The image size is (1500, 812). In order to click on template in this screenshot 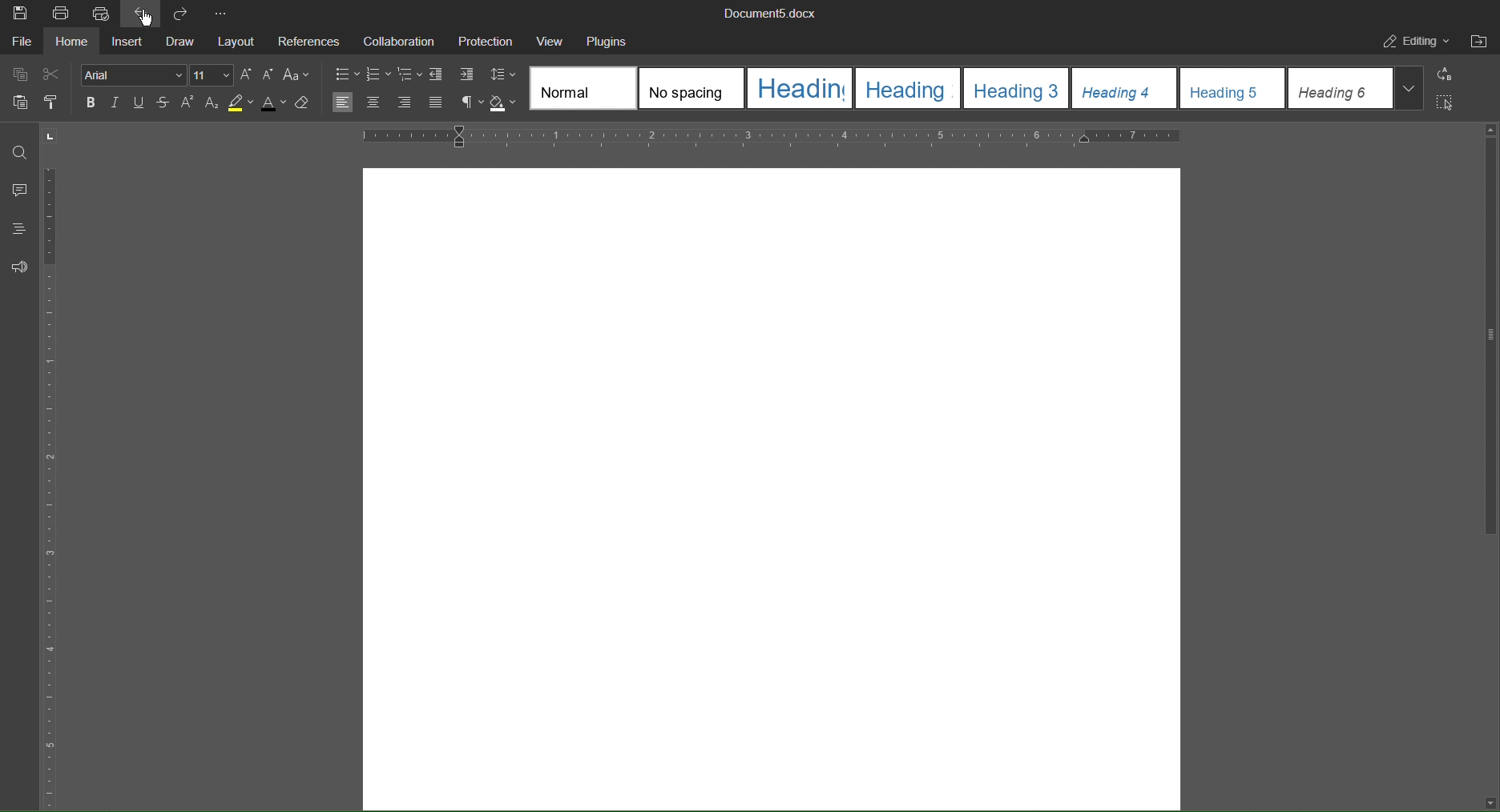, I will do `click(1342, 87)`.